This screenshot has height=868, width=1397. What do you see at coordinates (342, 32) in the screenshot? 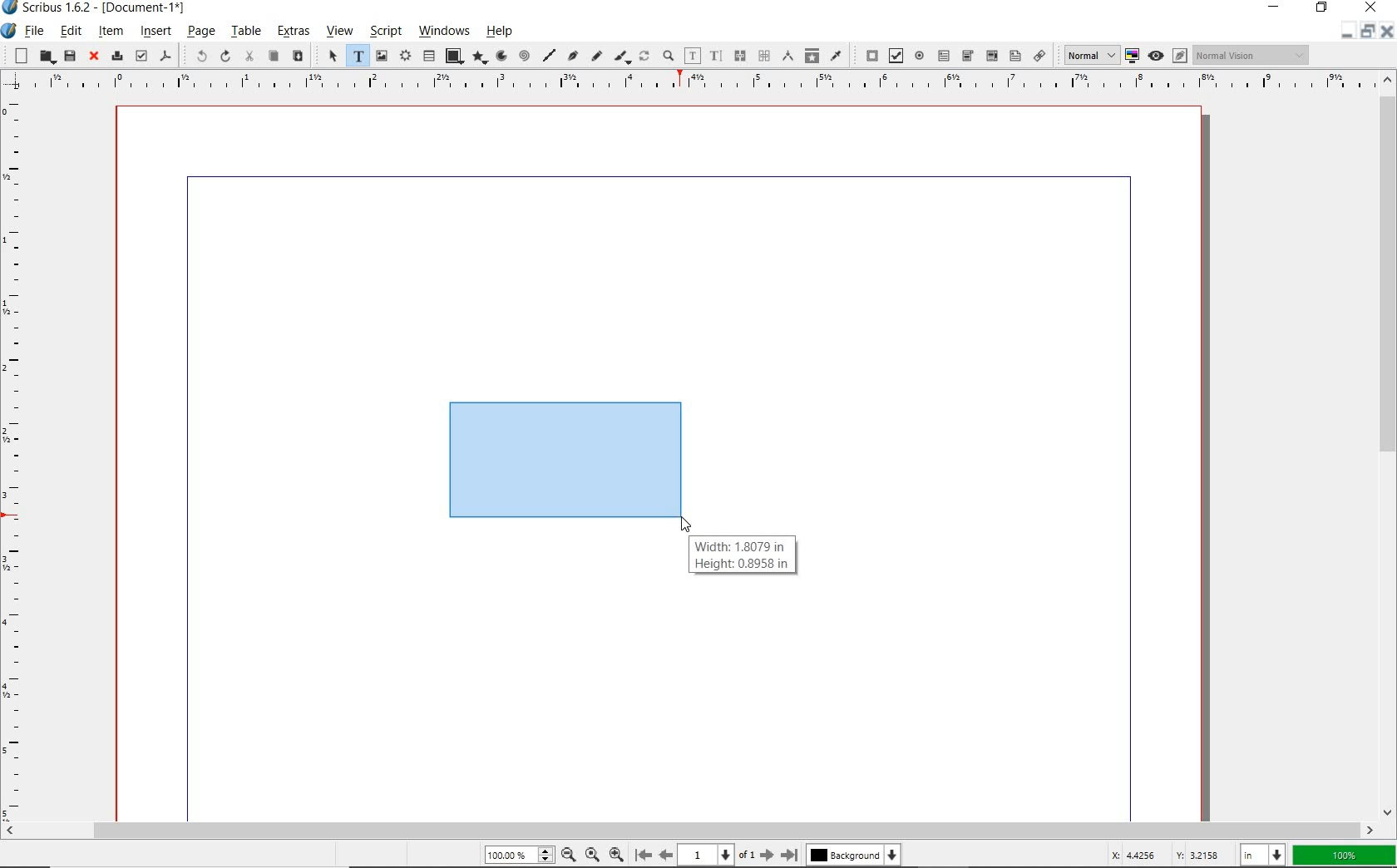
I see `view` at bounding box center [342, 32].